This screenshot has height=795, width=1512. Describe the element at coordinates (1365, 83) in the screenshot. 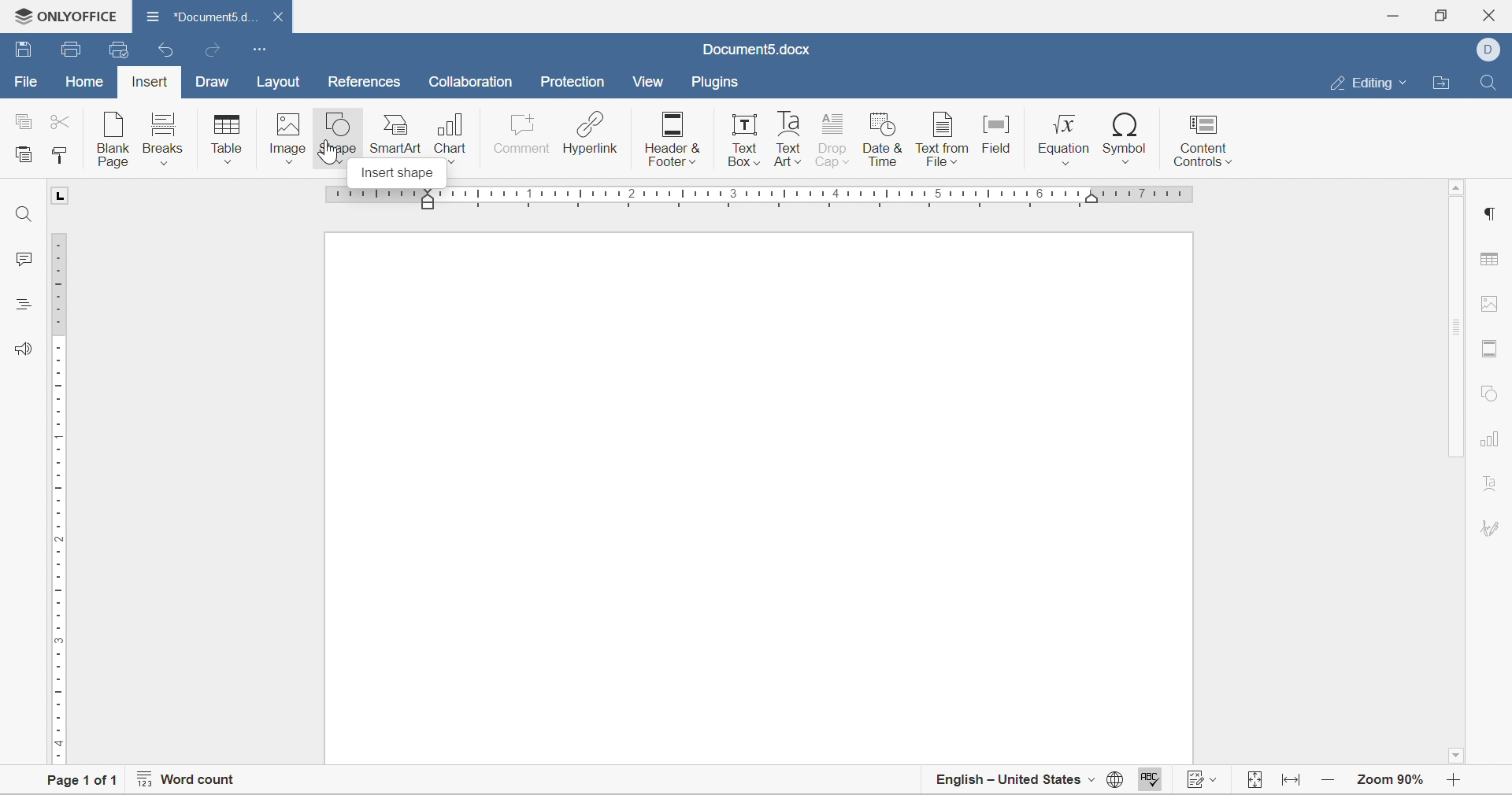

I see `editing` at that location.